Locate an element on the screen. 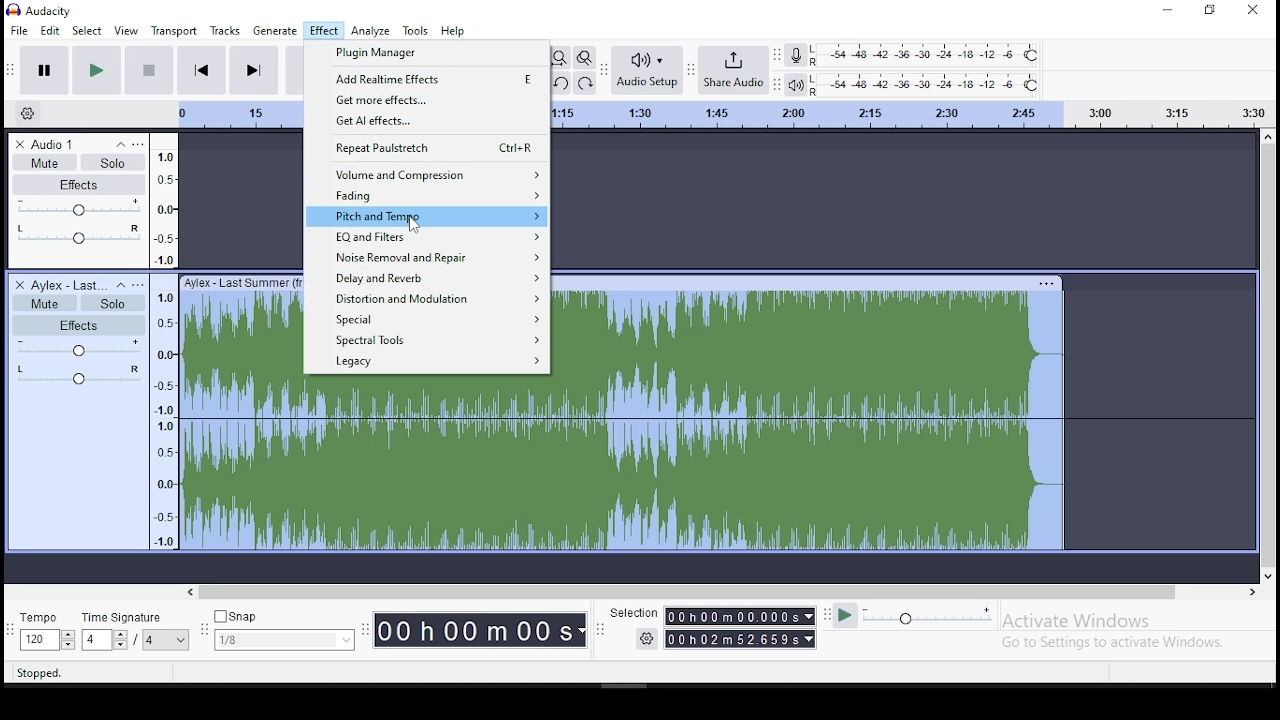  open menu is located at coordinates (143, 145).